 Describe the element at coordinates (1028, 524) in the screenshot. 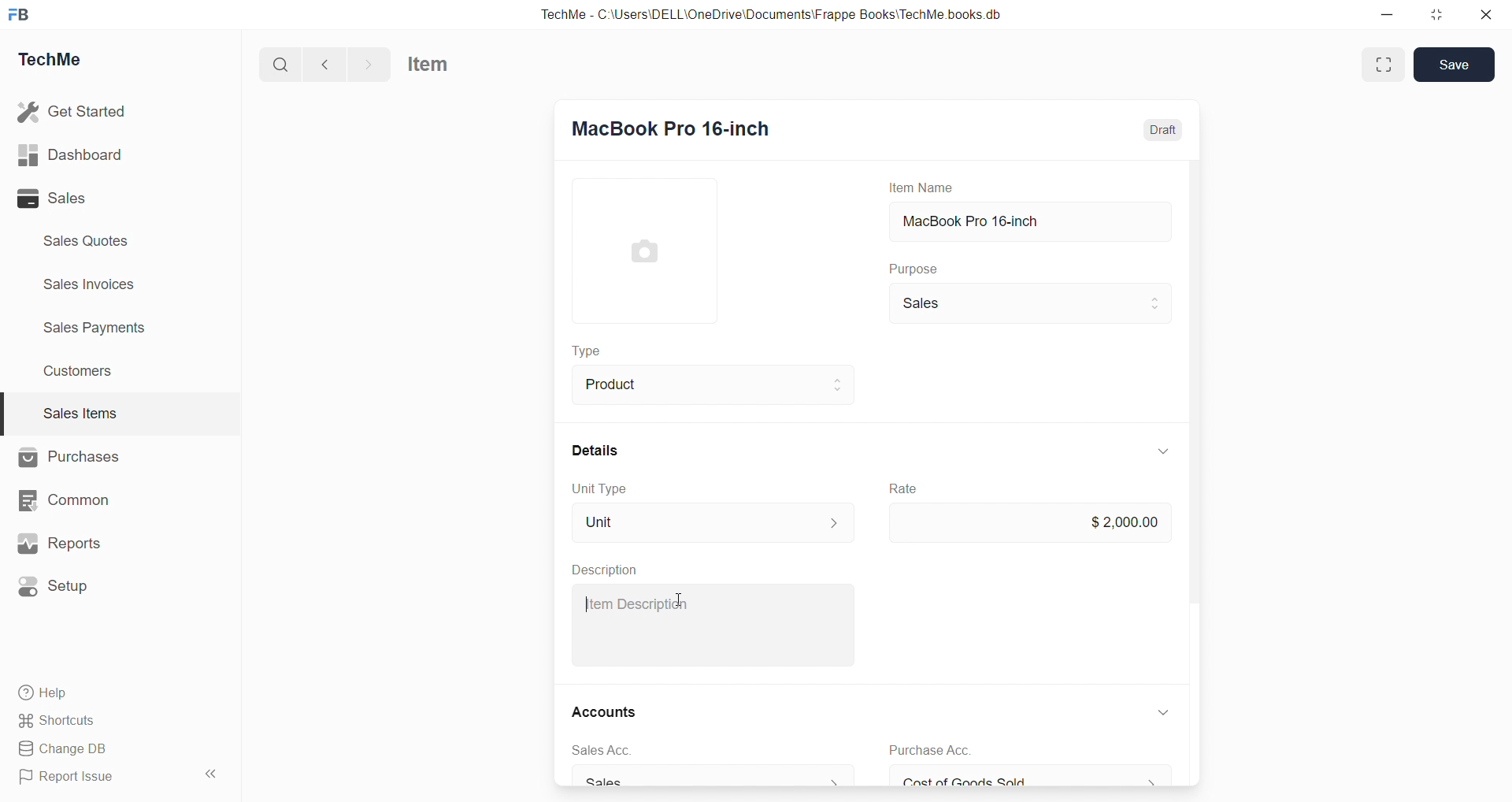

I see `2,000.00` at that location.